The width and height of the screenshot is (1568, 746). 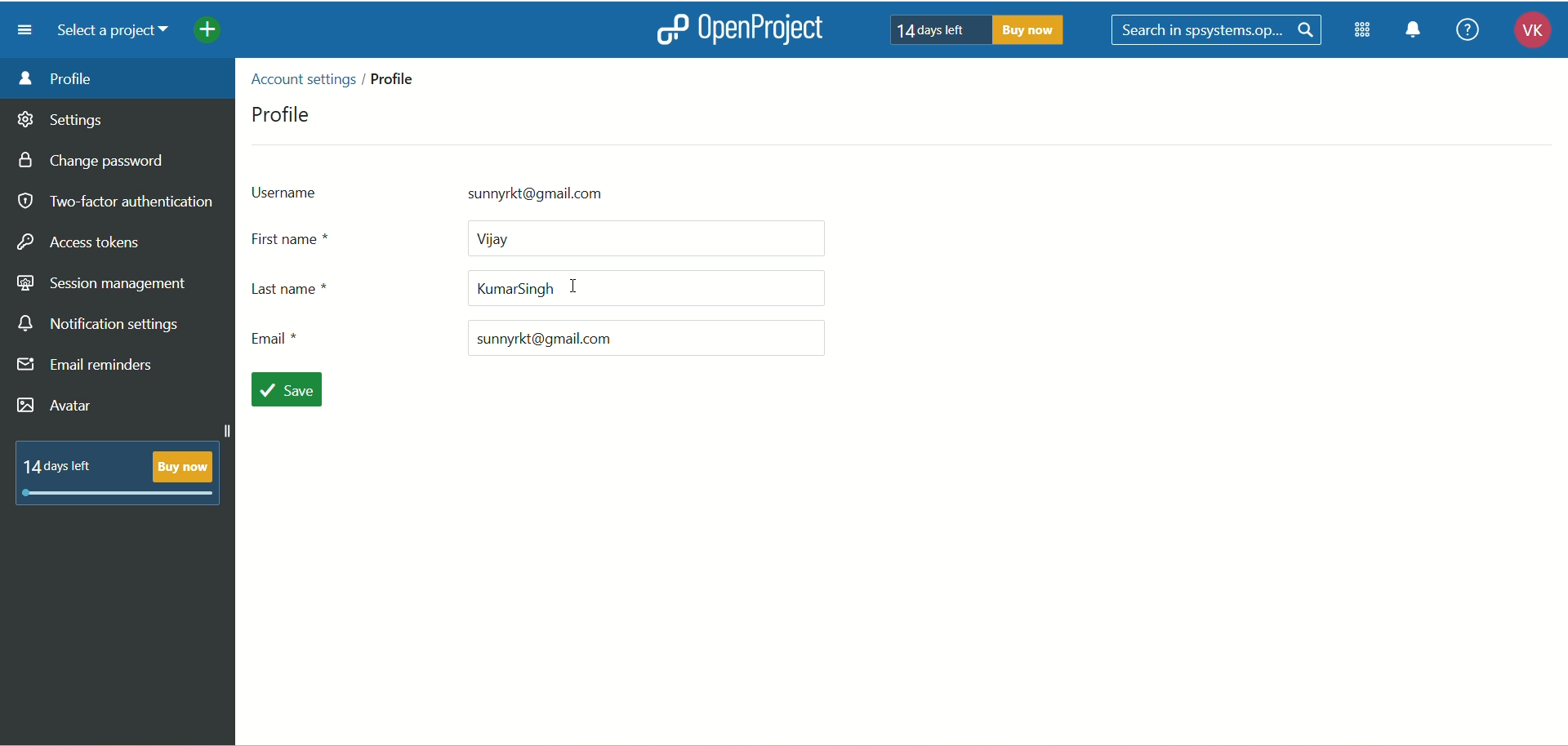 I want to click on access tokens, so click(x=82, y=240).